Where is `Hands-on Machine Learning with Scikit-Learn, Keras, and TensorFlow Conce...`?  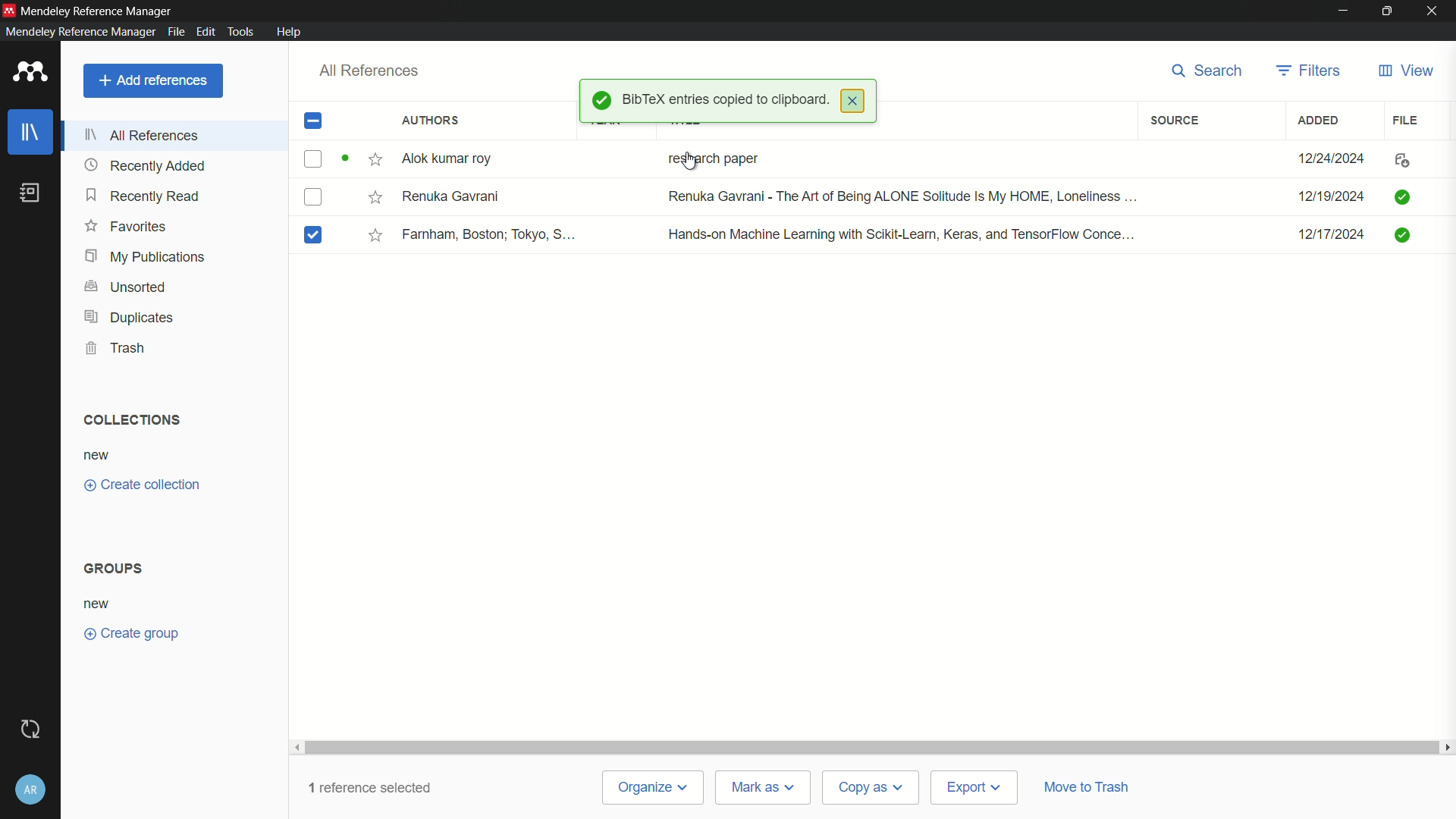
Hands-on Machine Learning with Scikit-Learn, Keras, and TensorFlow Conce... is located at coordinates (902, 232).